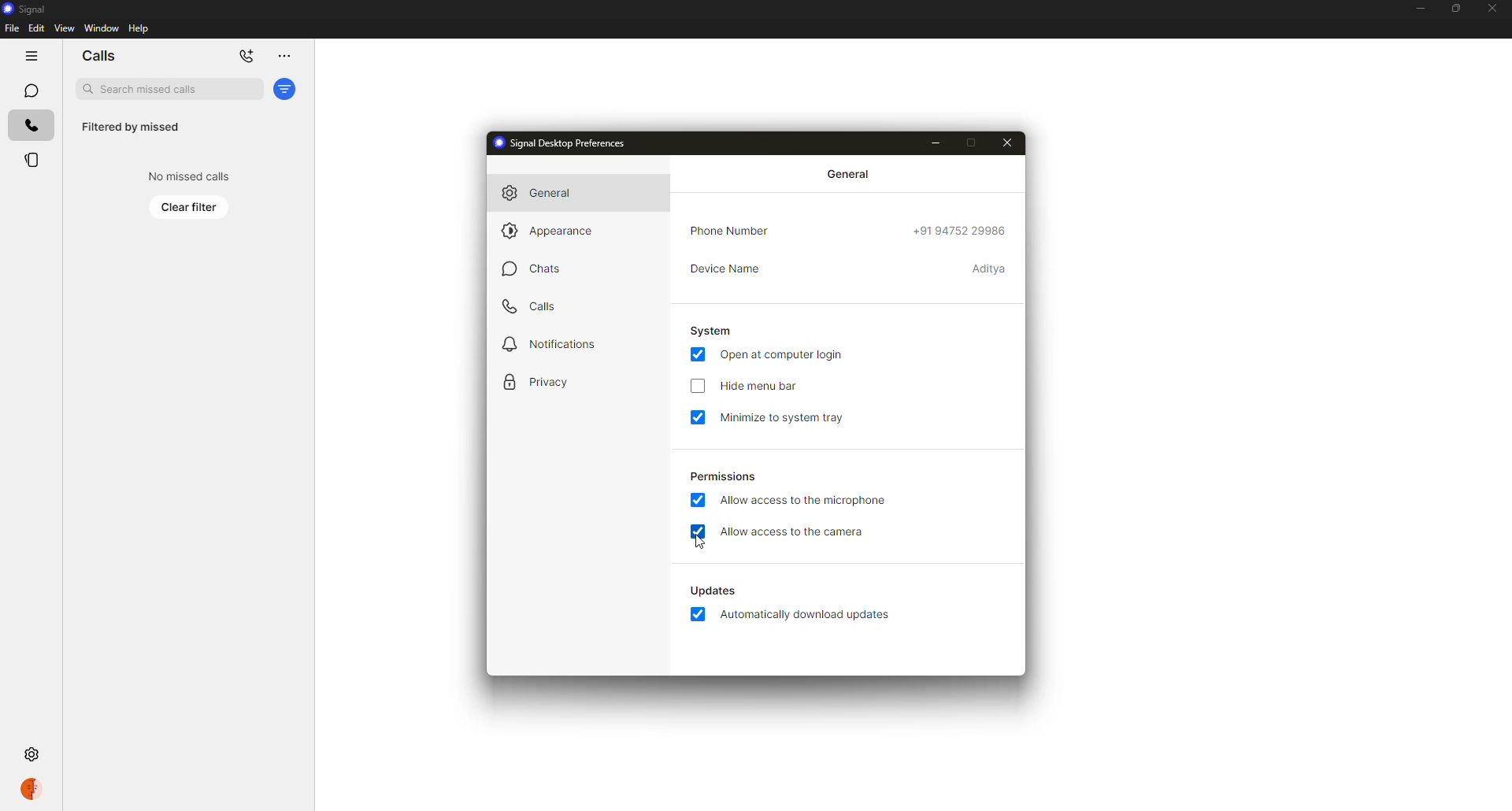 The width and height of the screenshot is (1512, 811). I want to click on filter, so click(286, 89).